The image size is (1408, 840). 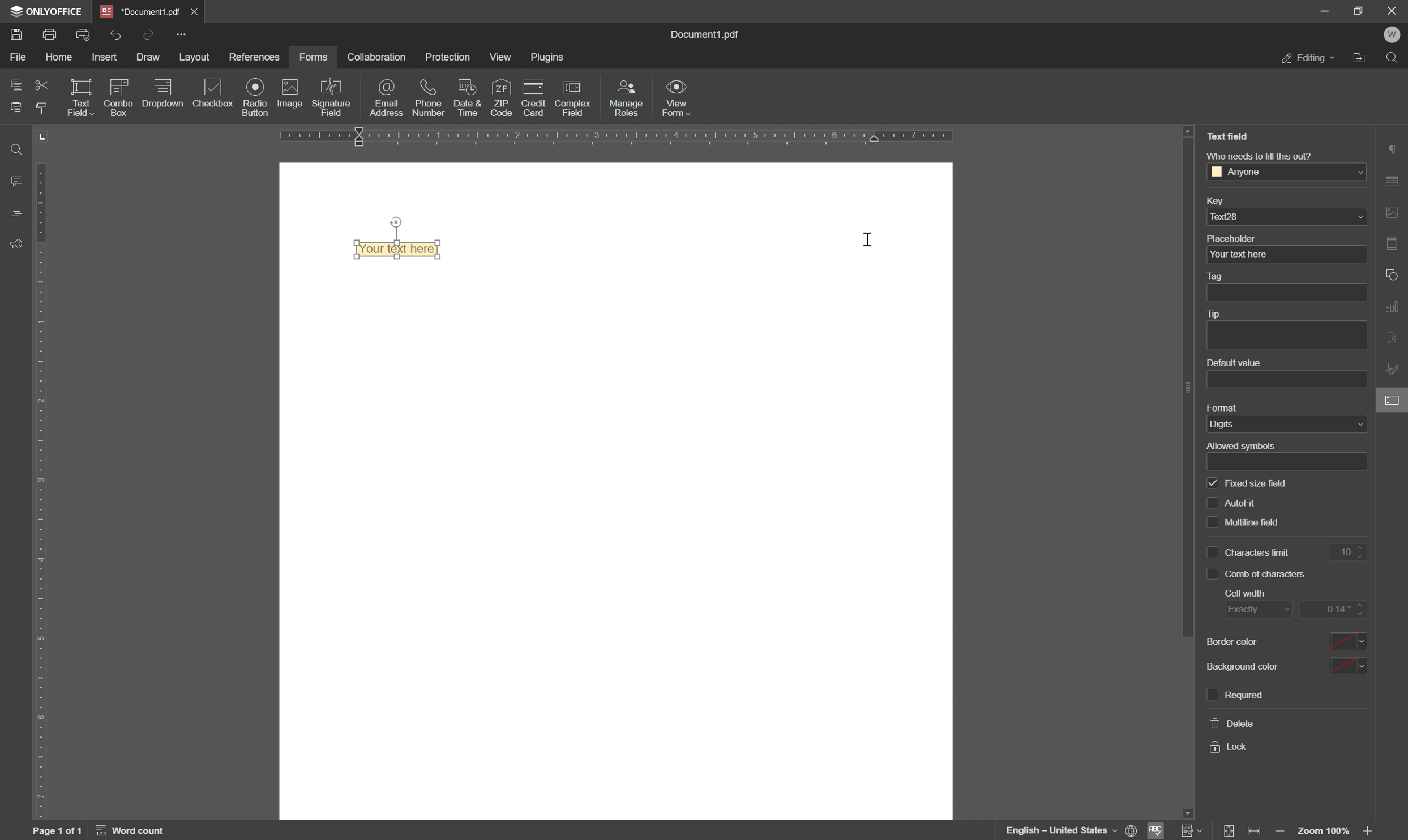 What do you see at coordinates (1229, 747) in the screenshot?
I see `lock` at bounding box center [1229, 747].